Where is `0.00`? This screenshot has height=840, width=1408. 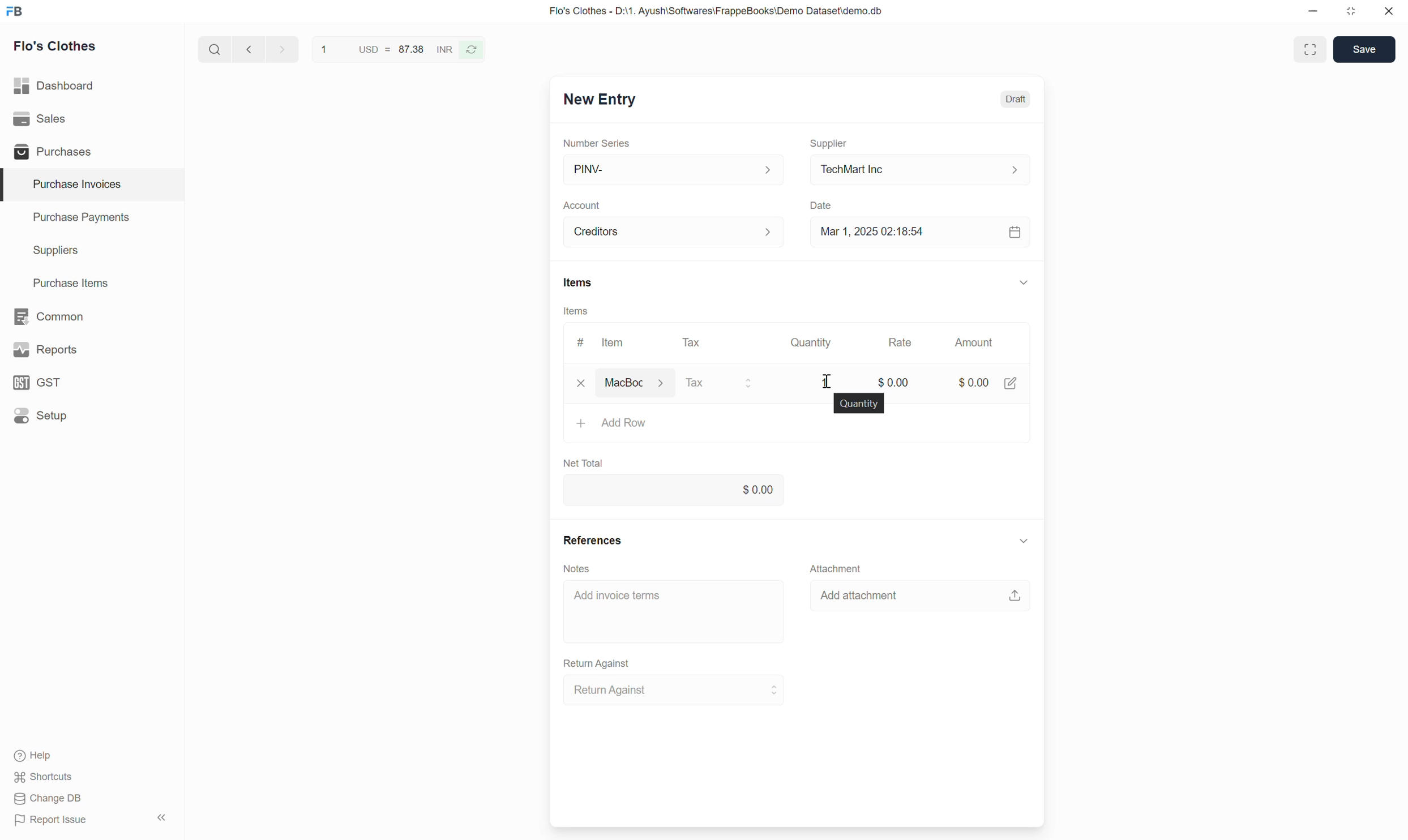
0.00 is located at coordinates (674, 489).